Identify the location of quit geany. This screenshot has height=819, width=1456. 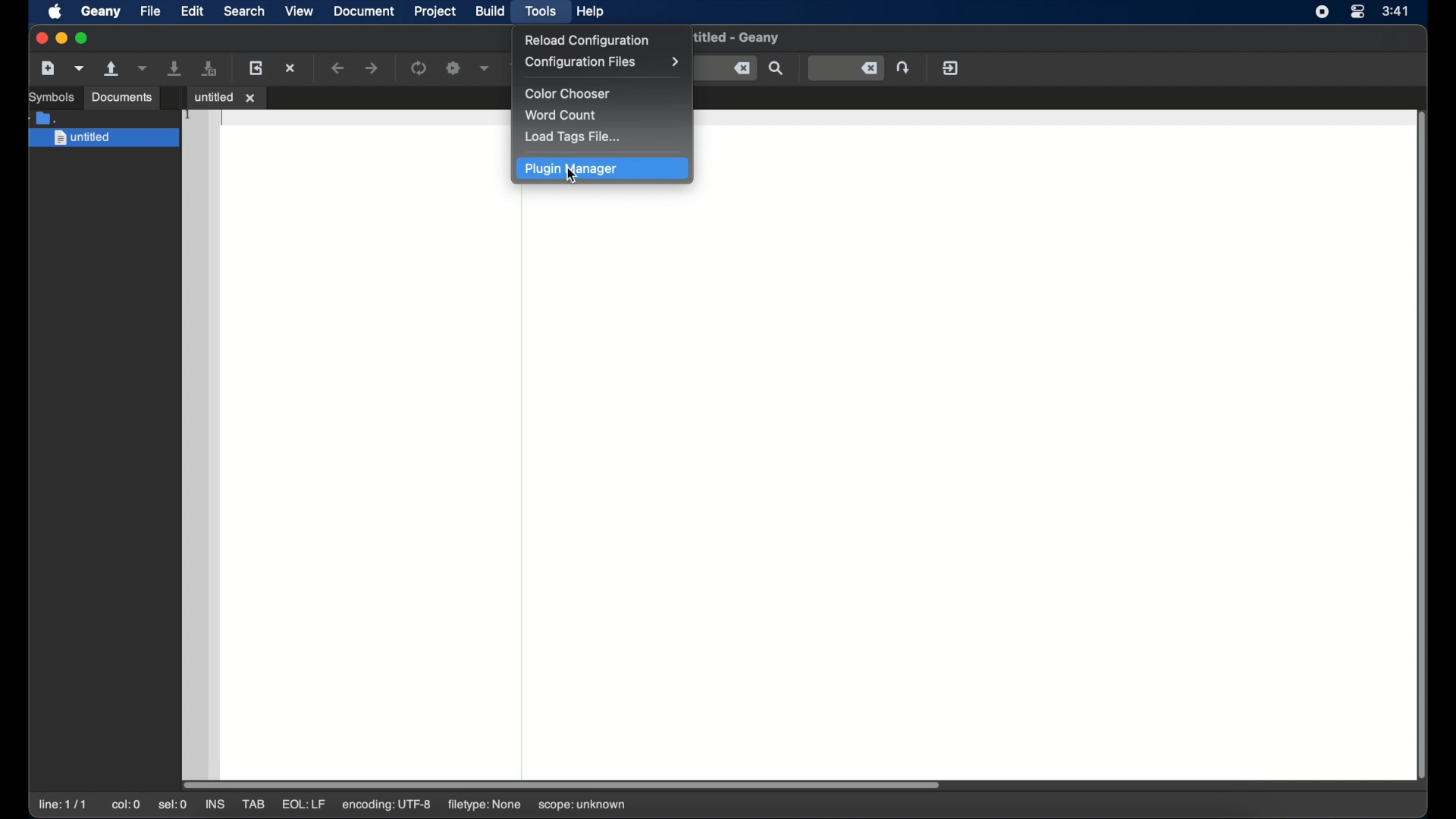
(950, 68).